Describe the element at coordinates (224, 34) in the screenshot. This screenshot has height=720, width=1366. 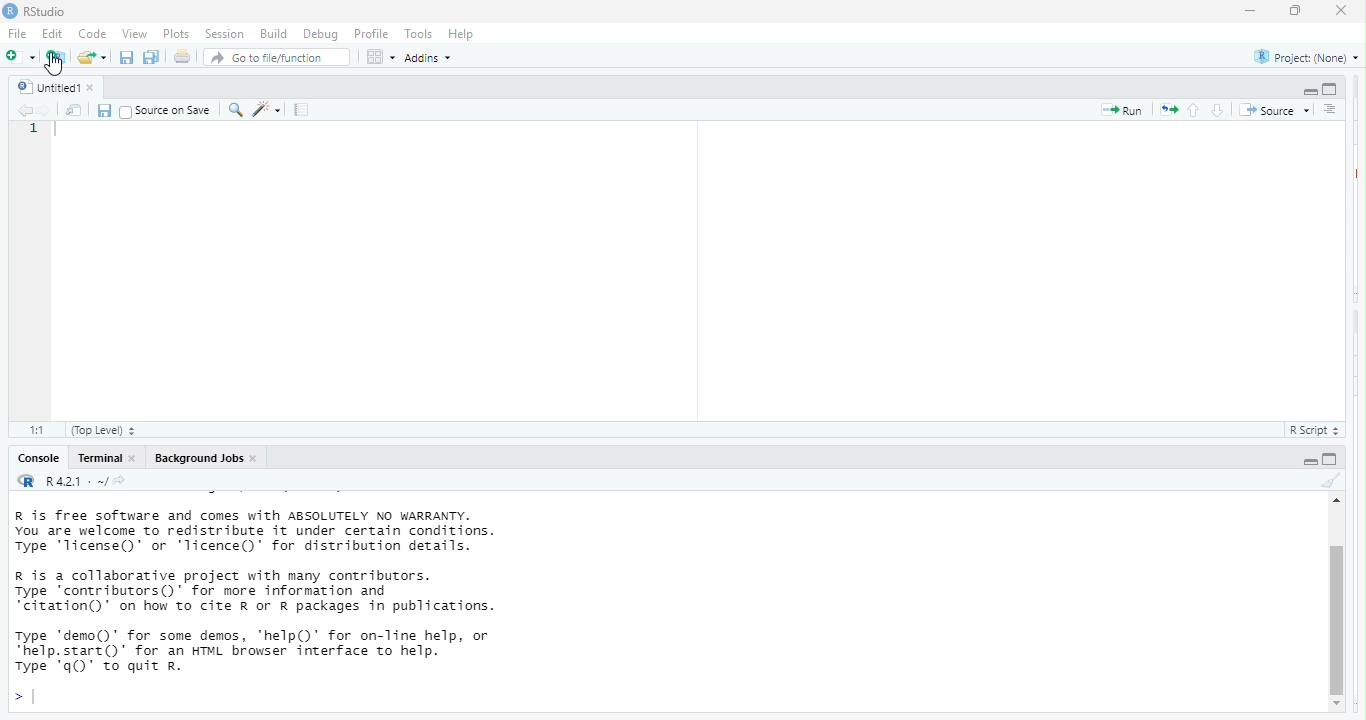
I see `Session` at that location.